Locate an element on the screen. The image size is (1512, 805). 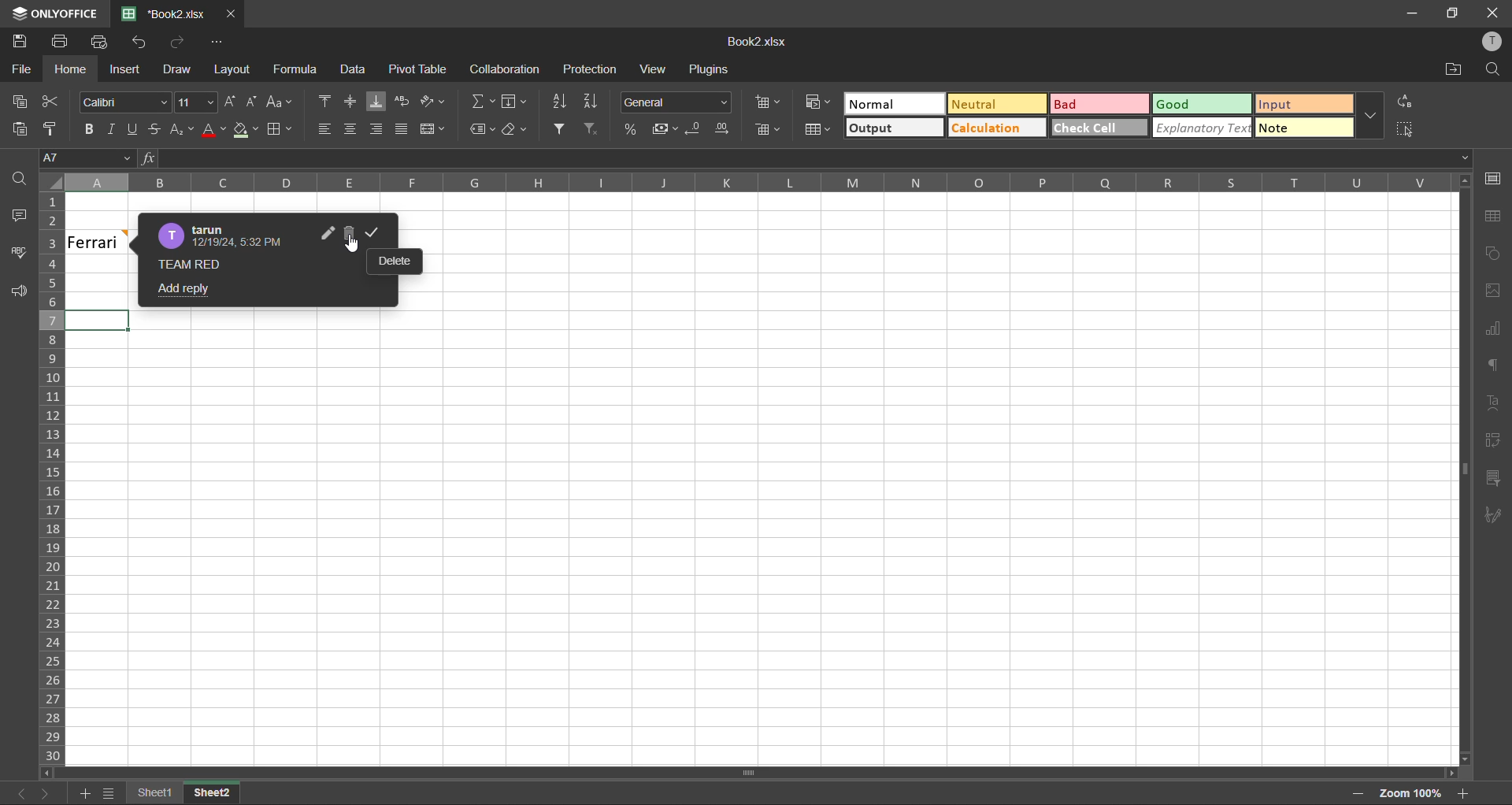
edit is located at coordinates (326, 232).